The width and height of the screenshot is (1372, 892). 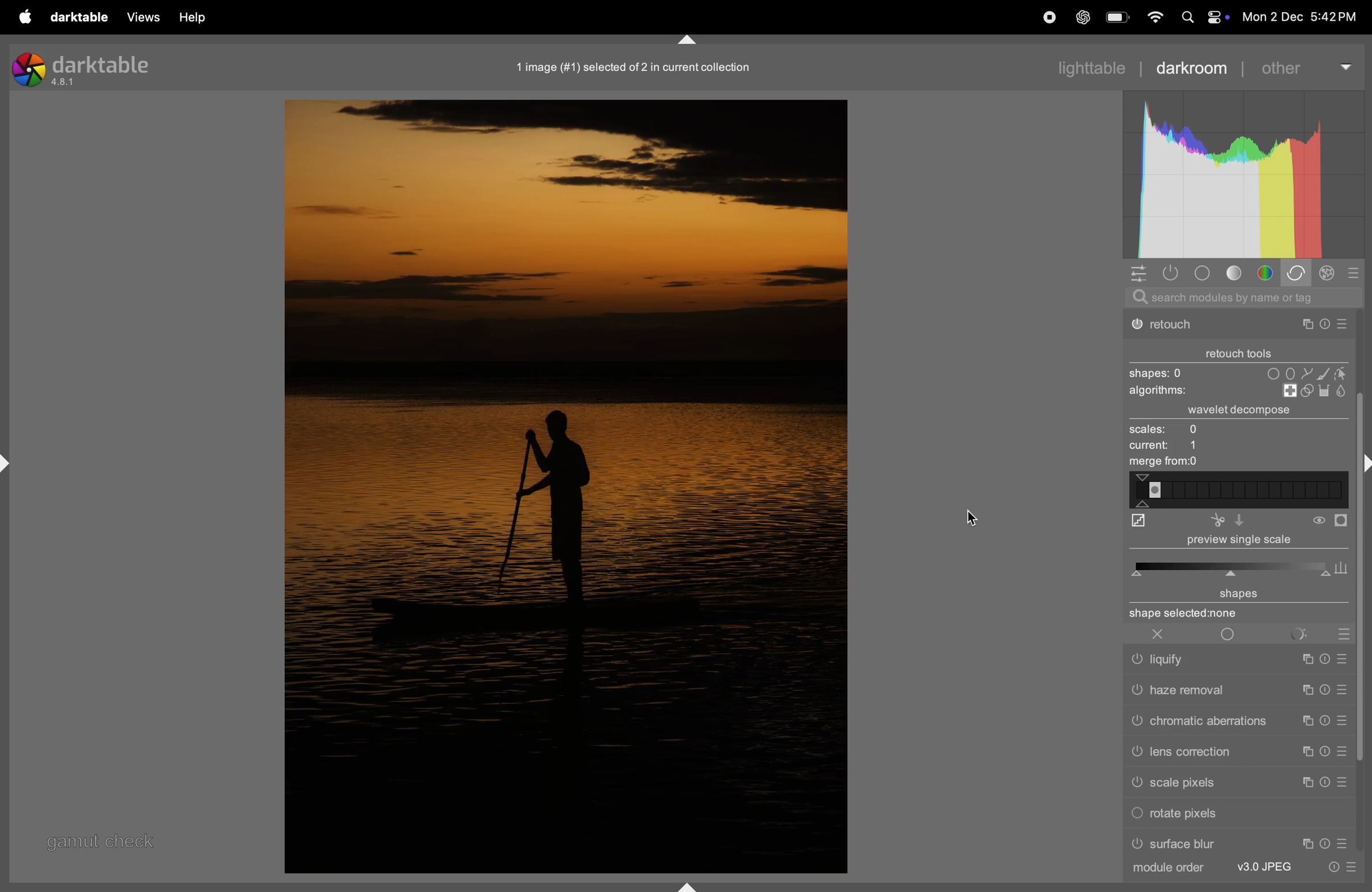 What do you see at coordinates (1084, 17) in the screenshot?
I see `chatgpt` at bounding box center [1084, 17].